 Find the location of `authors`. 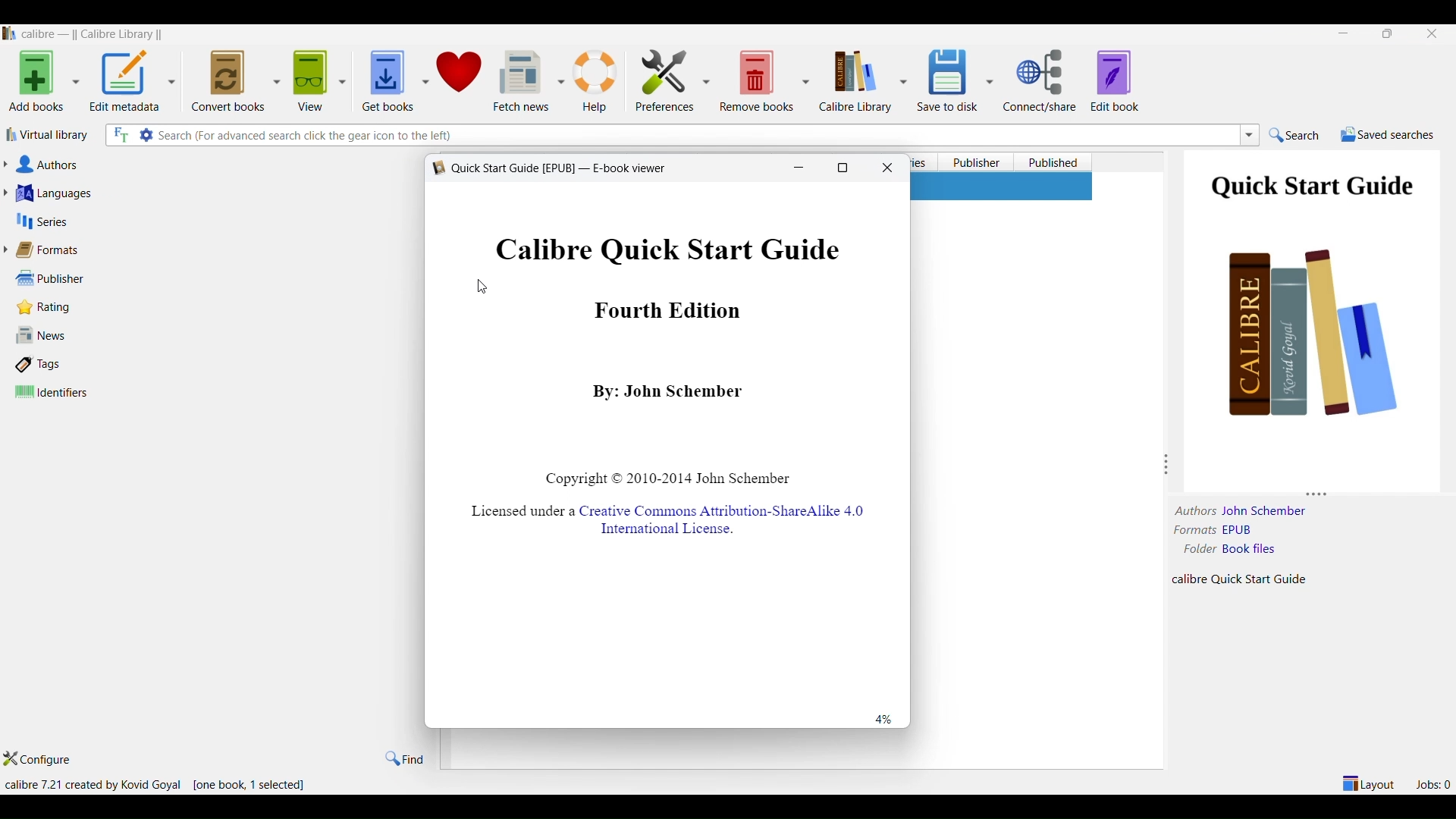

authors is located at coordinates (211, 162).